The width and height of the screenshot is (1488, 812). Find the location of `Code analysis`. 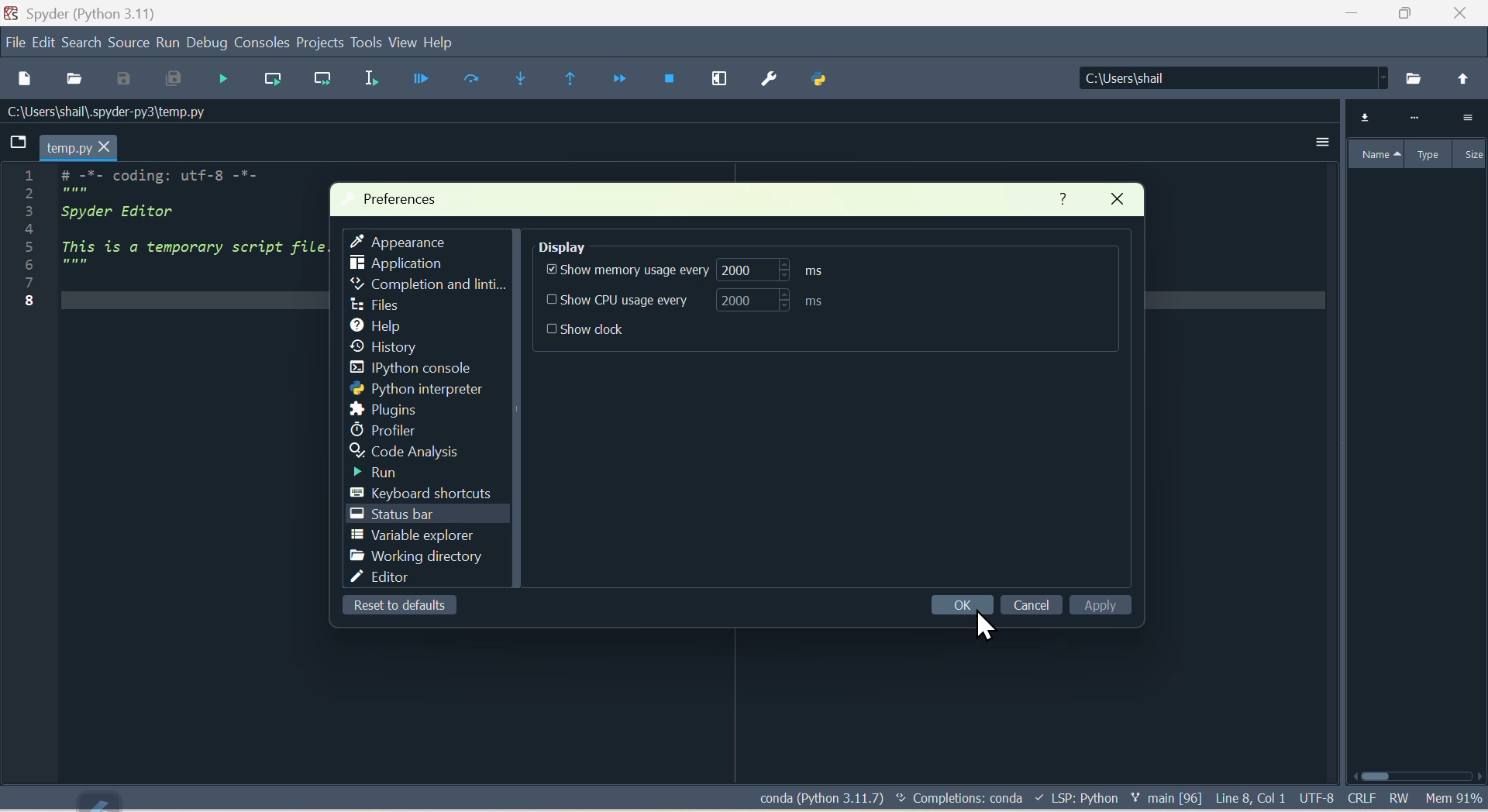

Code analysis is located at coordinates (407, 451).